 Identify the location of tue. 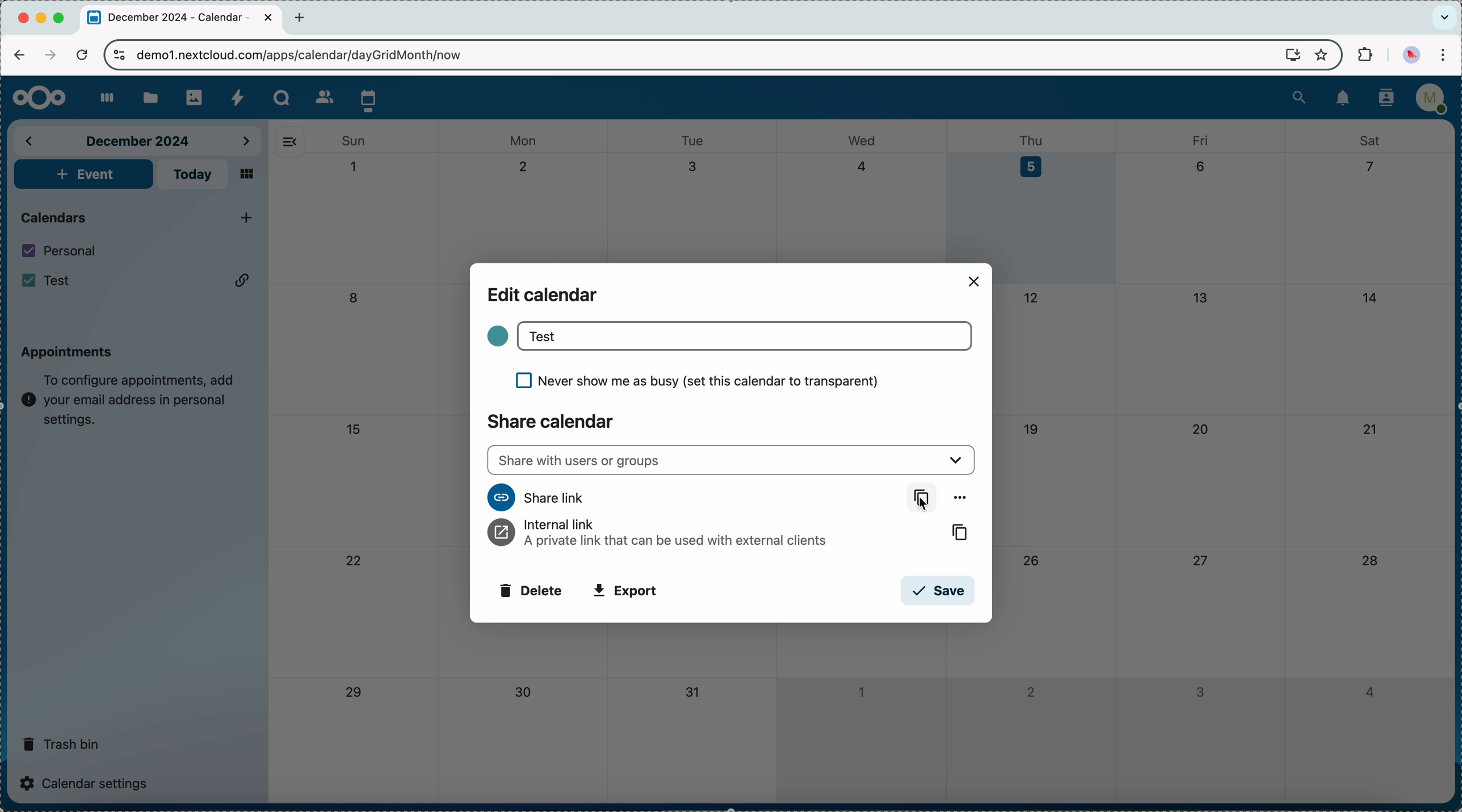
(692, 140).